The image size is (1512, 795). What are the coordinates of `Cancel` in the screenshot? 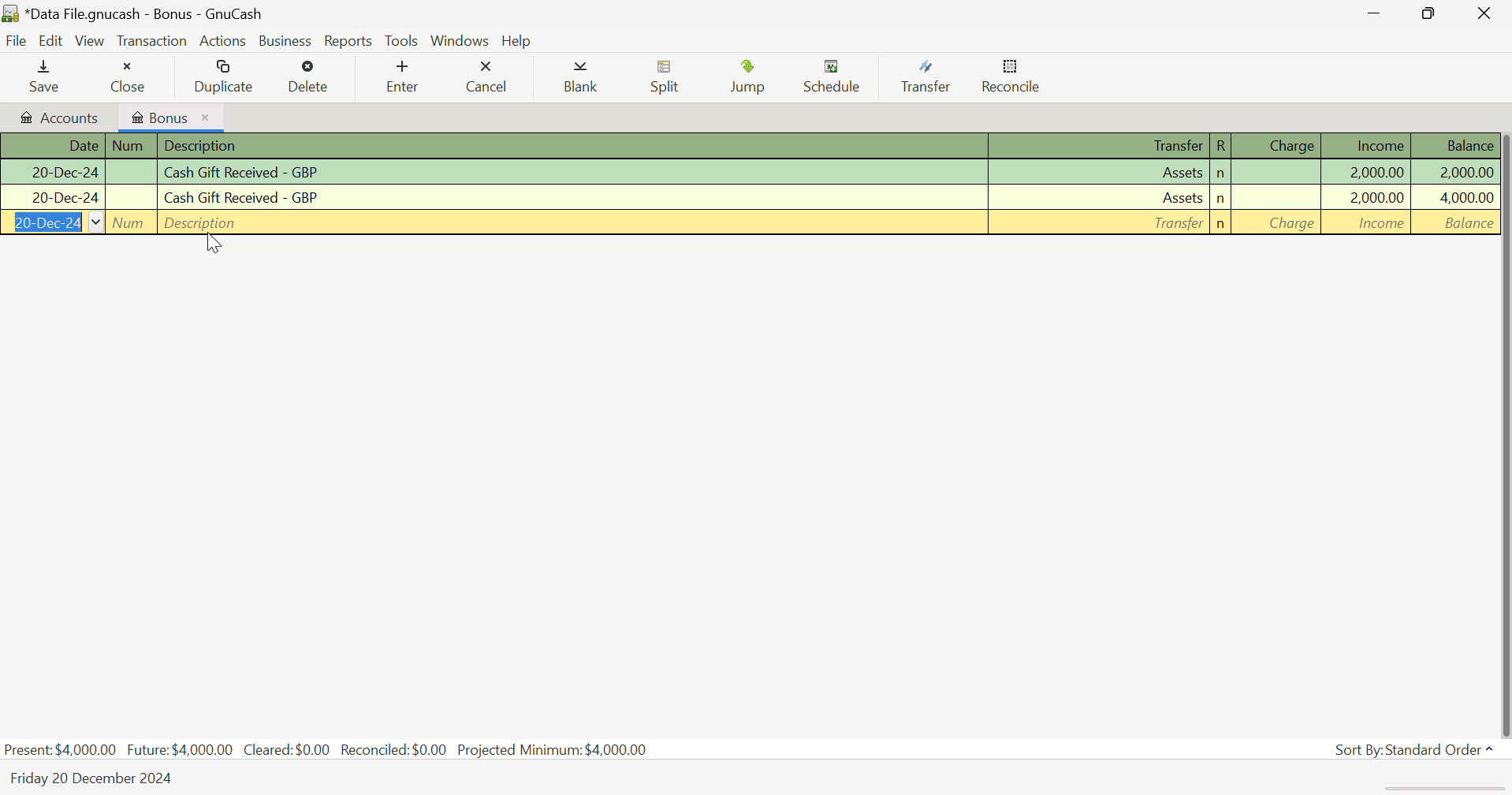 It's located at (486, 74).